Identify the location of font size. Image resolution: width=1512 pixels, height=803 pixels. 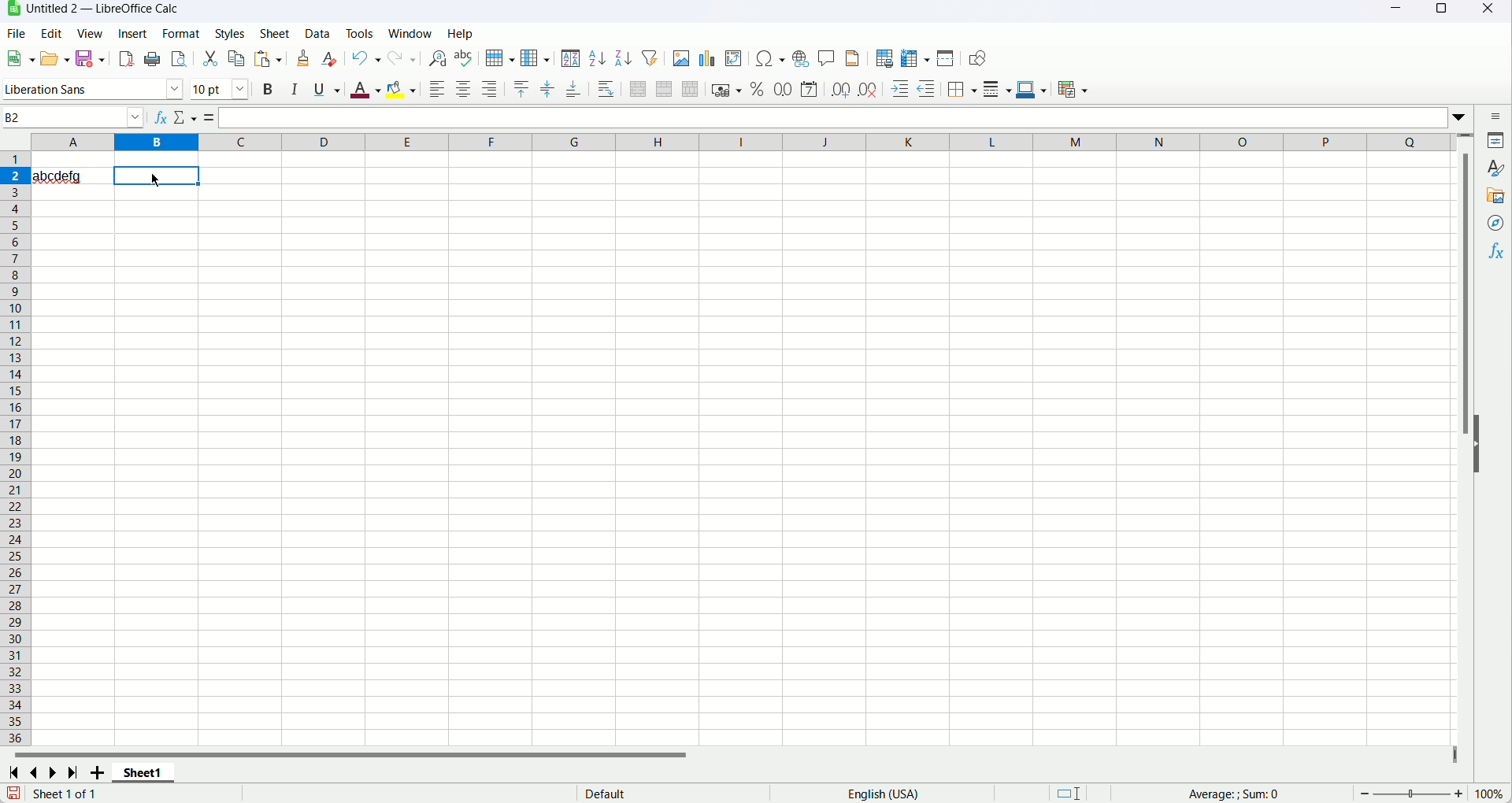
(220, 89).